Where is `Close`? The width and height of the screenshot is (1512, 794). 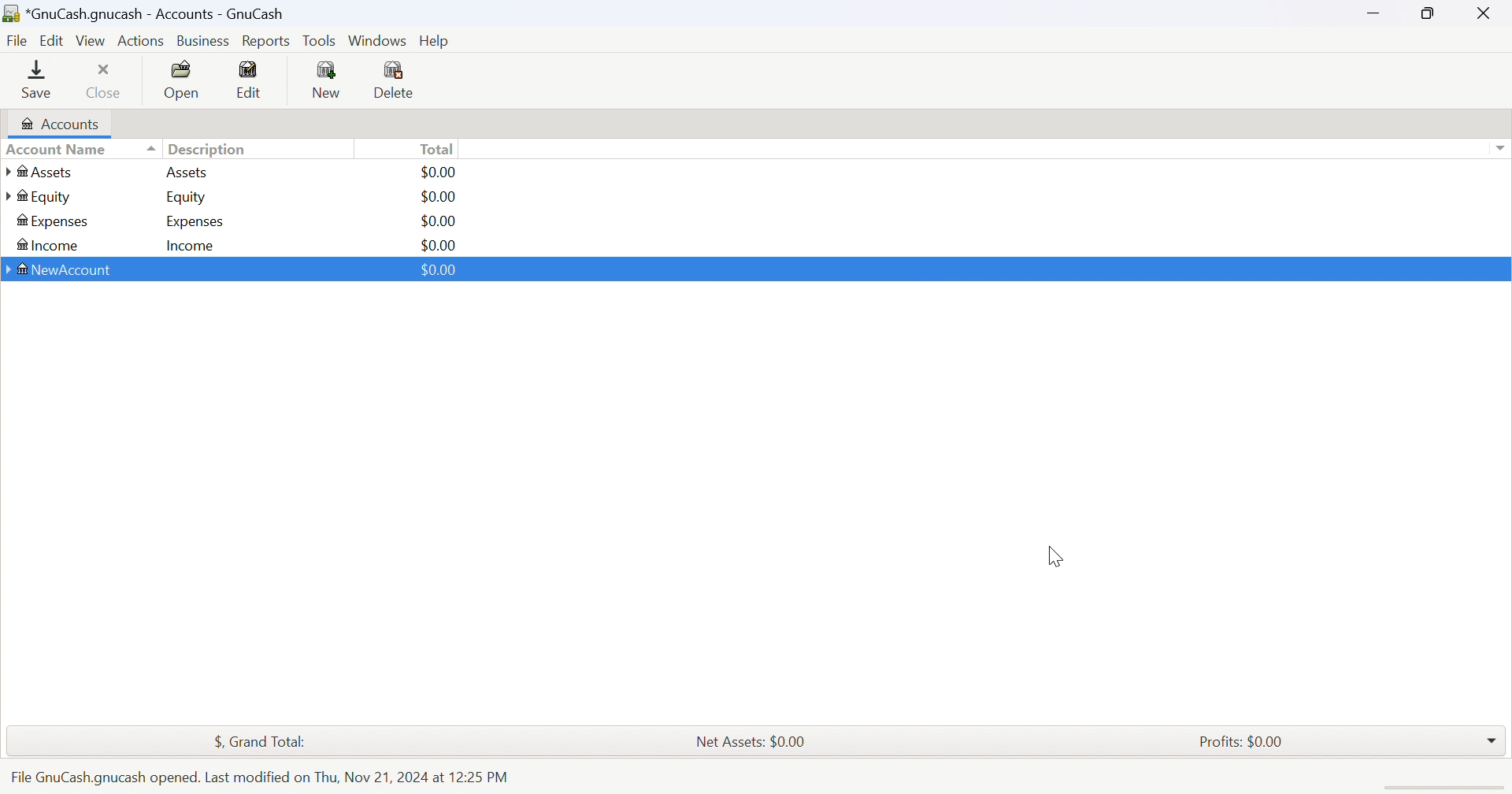 Close is located at coordinates (105, 80).